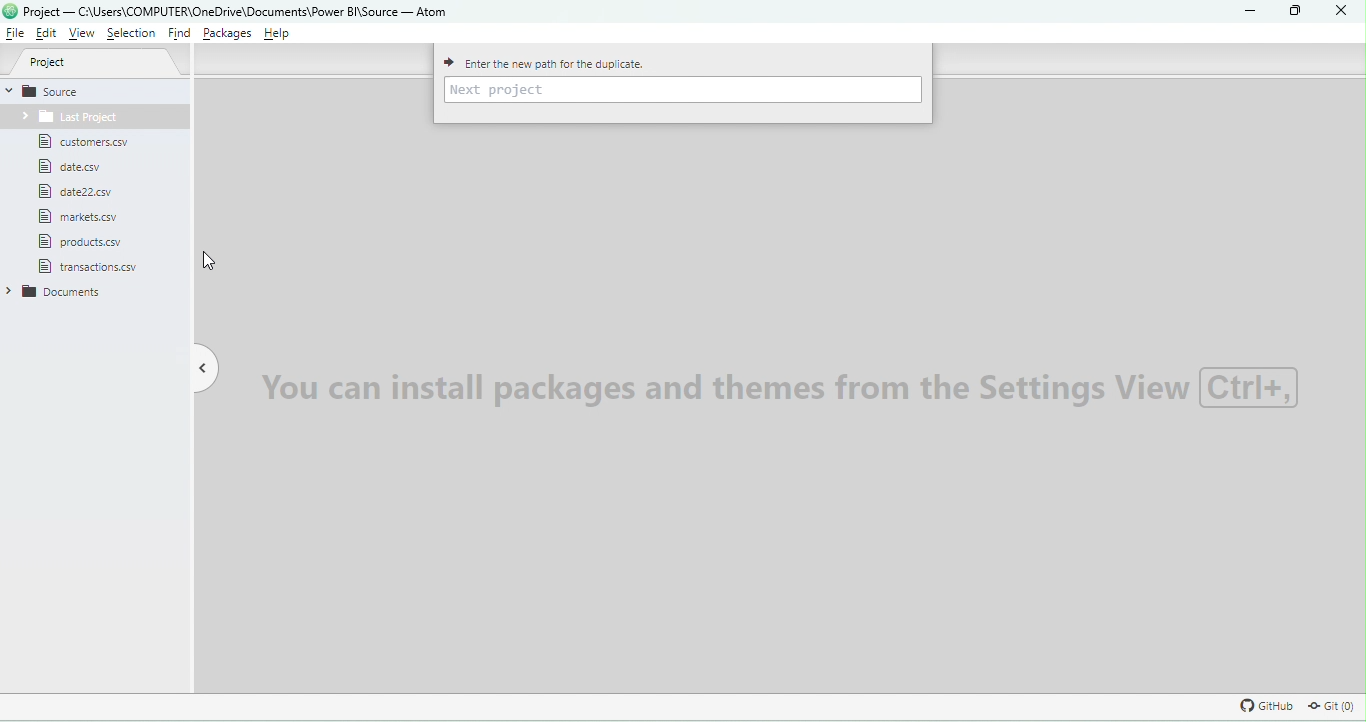 This screenshot has height=722, width=1366. I want to click on Watermark, so click(792, 387).